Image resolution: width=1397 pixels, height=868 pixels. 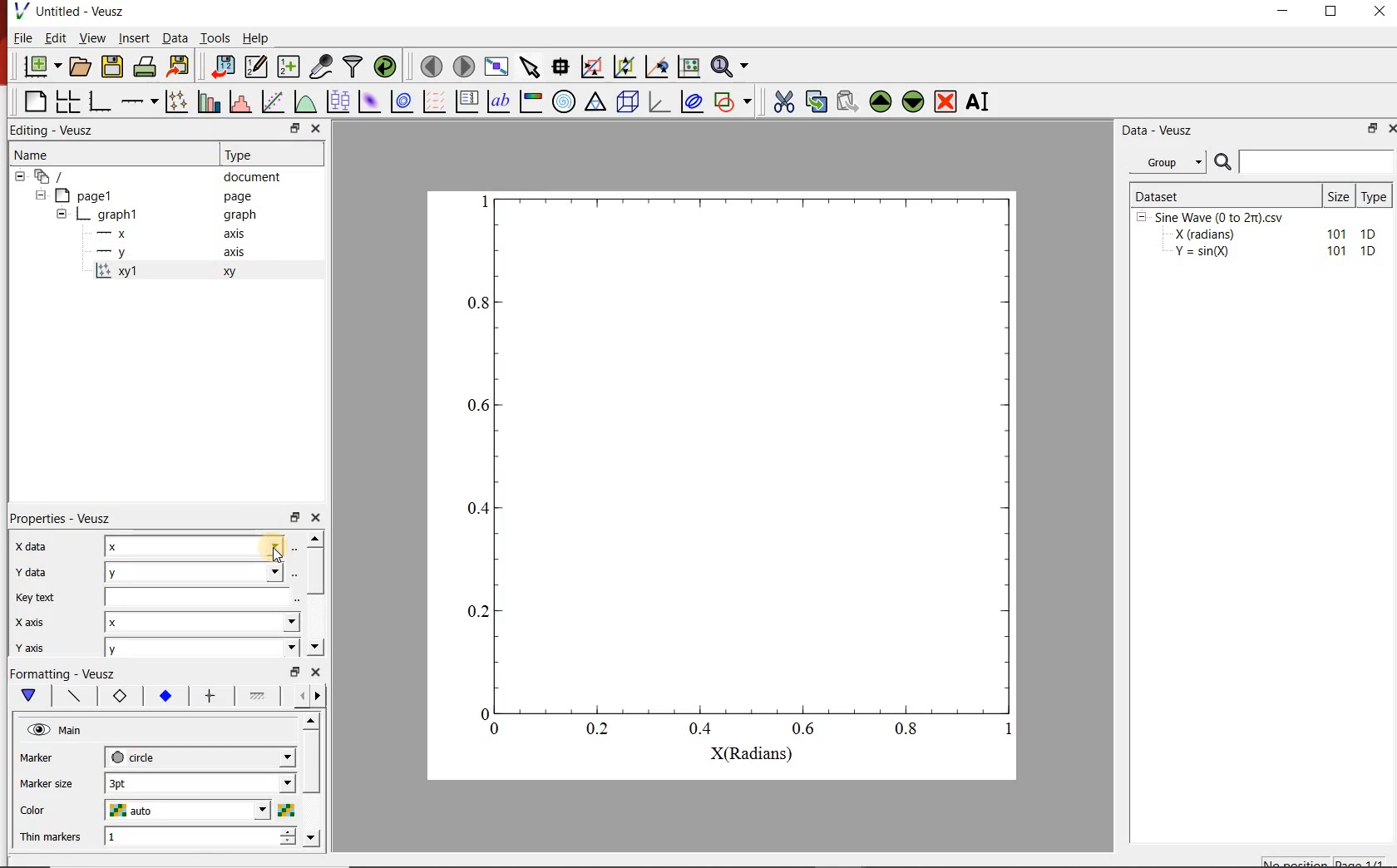 I want to click on select item from graph, so click(x=531, y=65).